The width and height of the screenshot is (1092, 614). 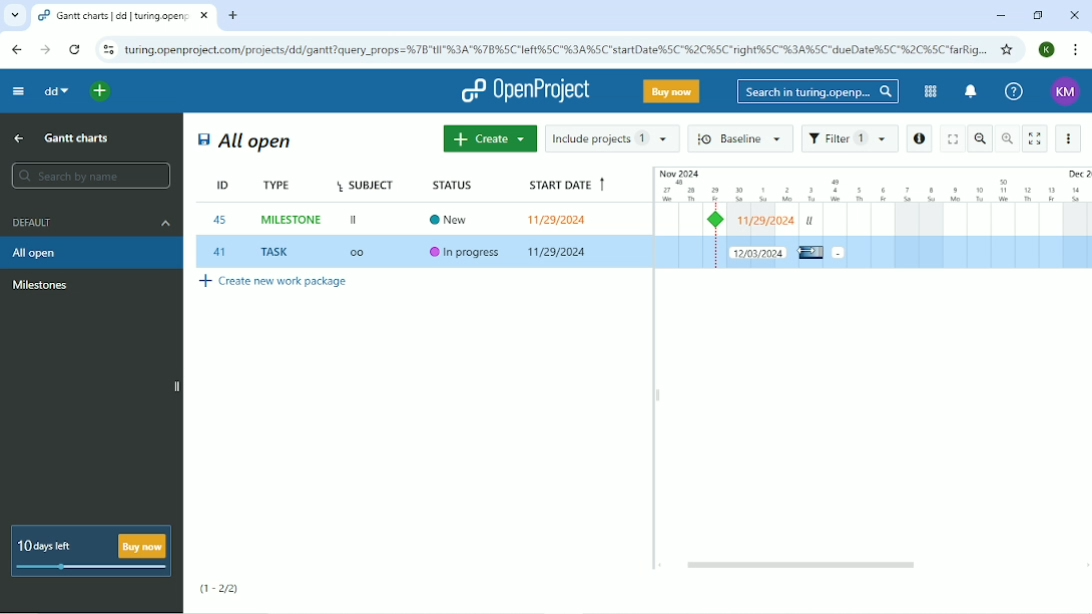 What do you see at coordinates (981, 138) in the screenshot?
I see `Zoom out` at bounding box center [981, 138].